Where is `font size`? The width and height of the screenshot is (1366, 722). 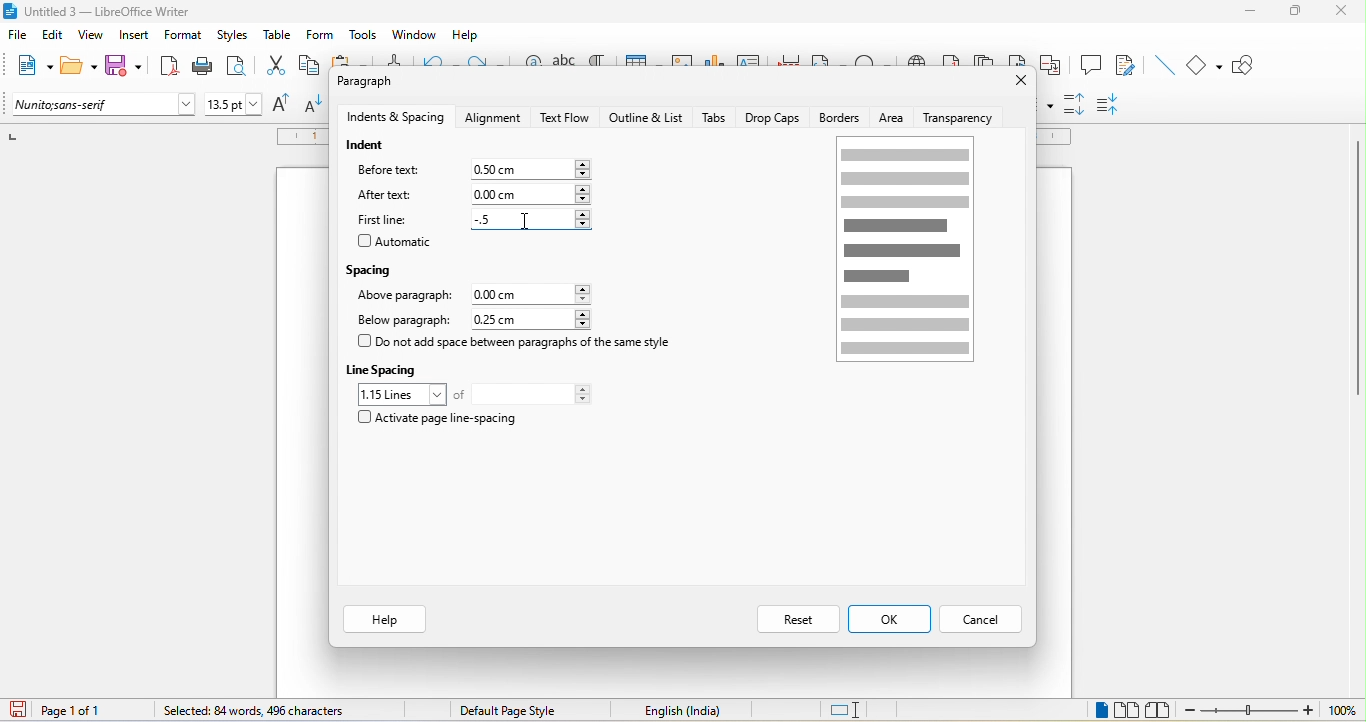 font size is located at coordinates (234, 105).